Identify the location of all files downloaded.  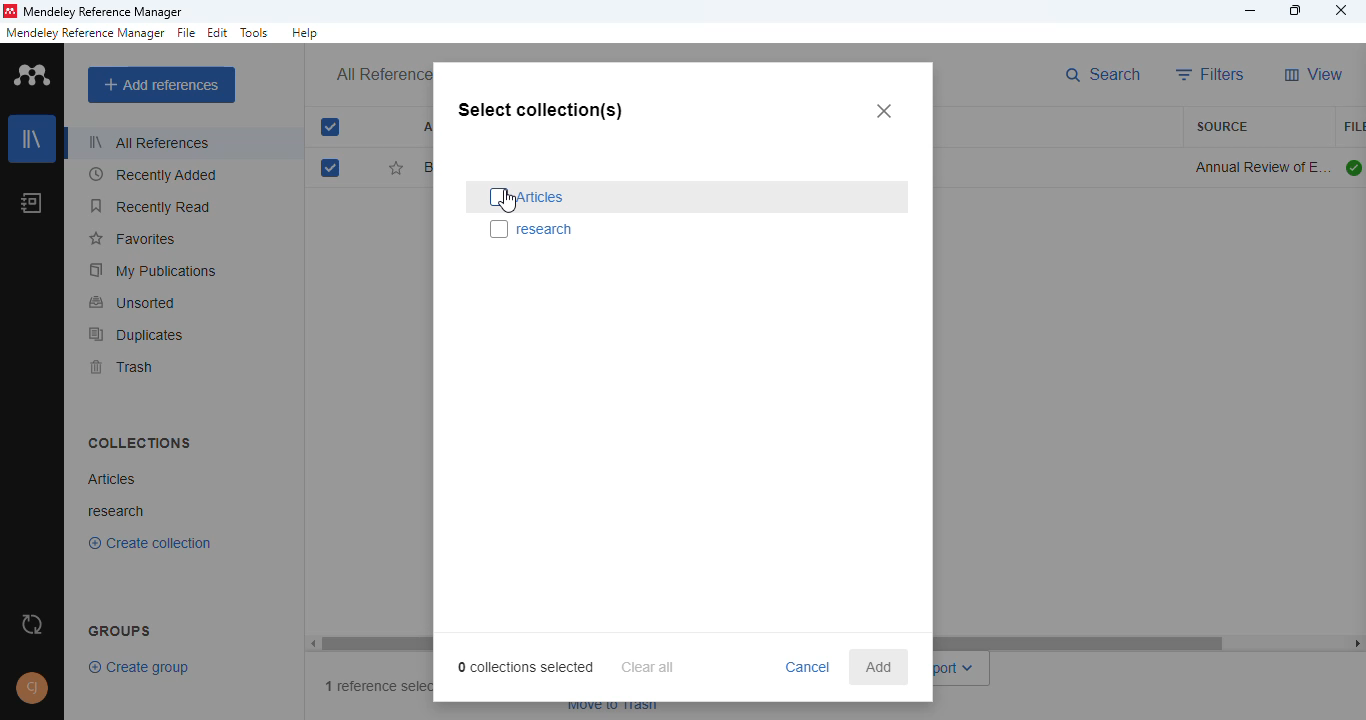
(1354, 167).